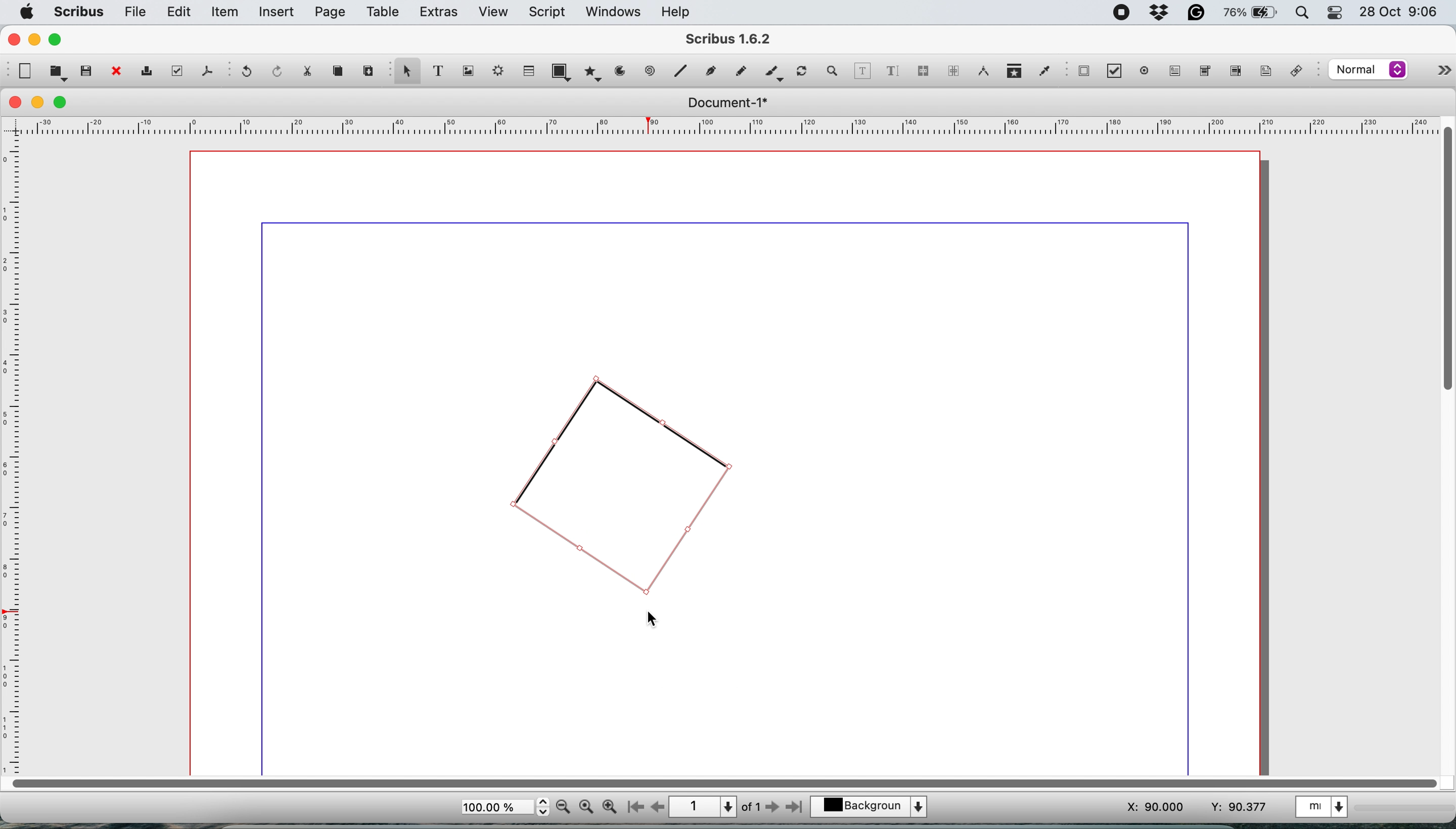 The width and height of the screenshot is (1456, 829). Describe the element at coordinates (226, 14) in the screenshot. I see `item` at that location.